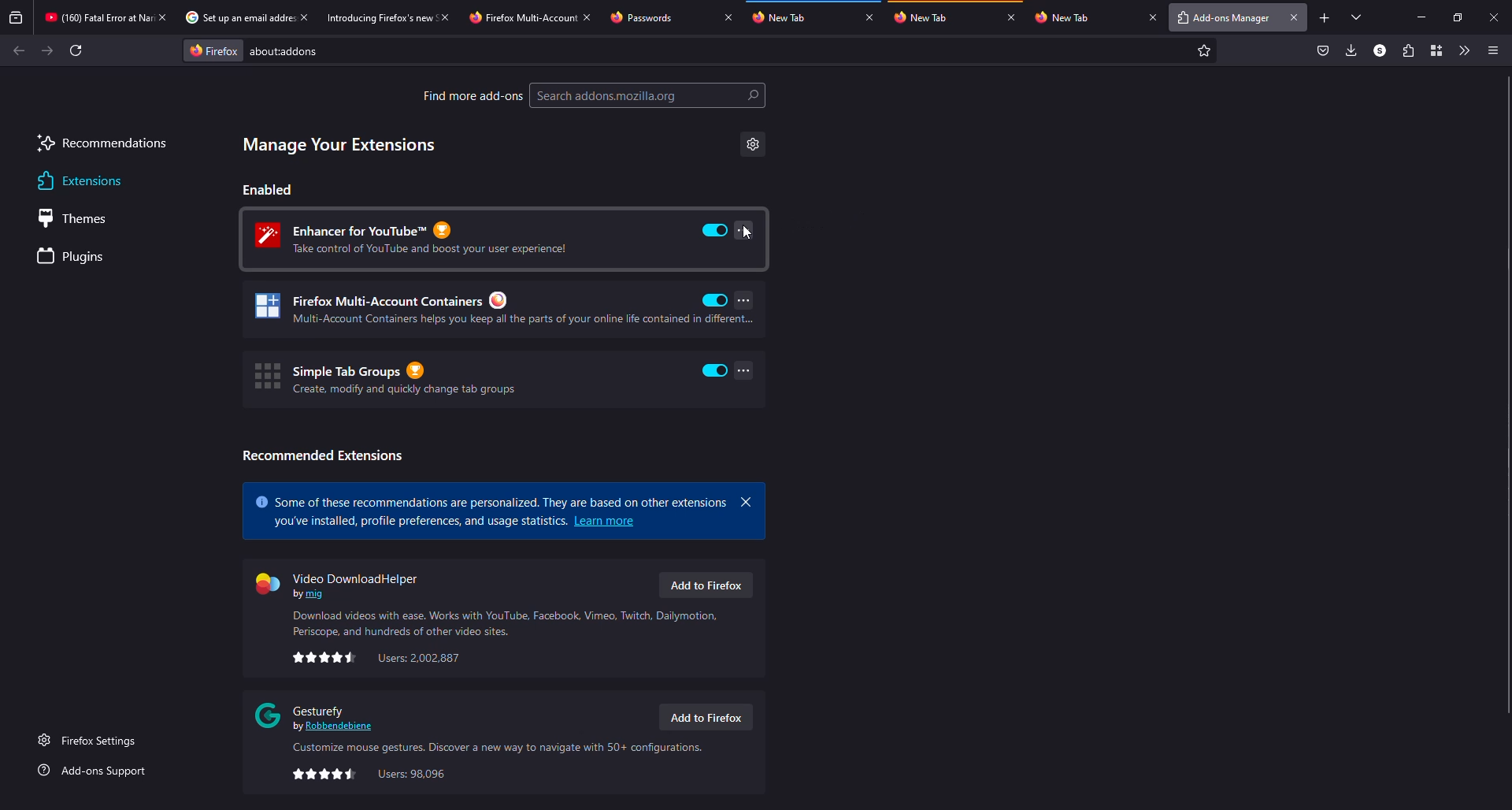 This screenshot has height=810, width=1512. What do you see at coordinates (1436, 50) in the screenshot?
I see `container` at bounding box center [1436, 50].